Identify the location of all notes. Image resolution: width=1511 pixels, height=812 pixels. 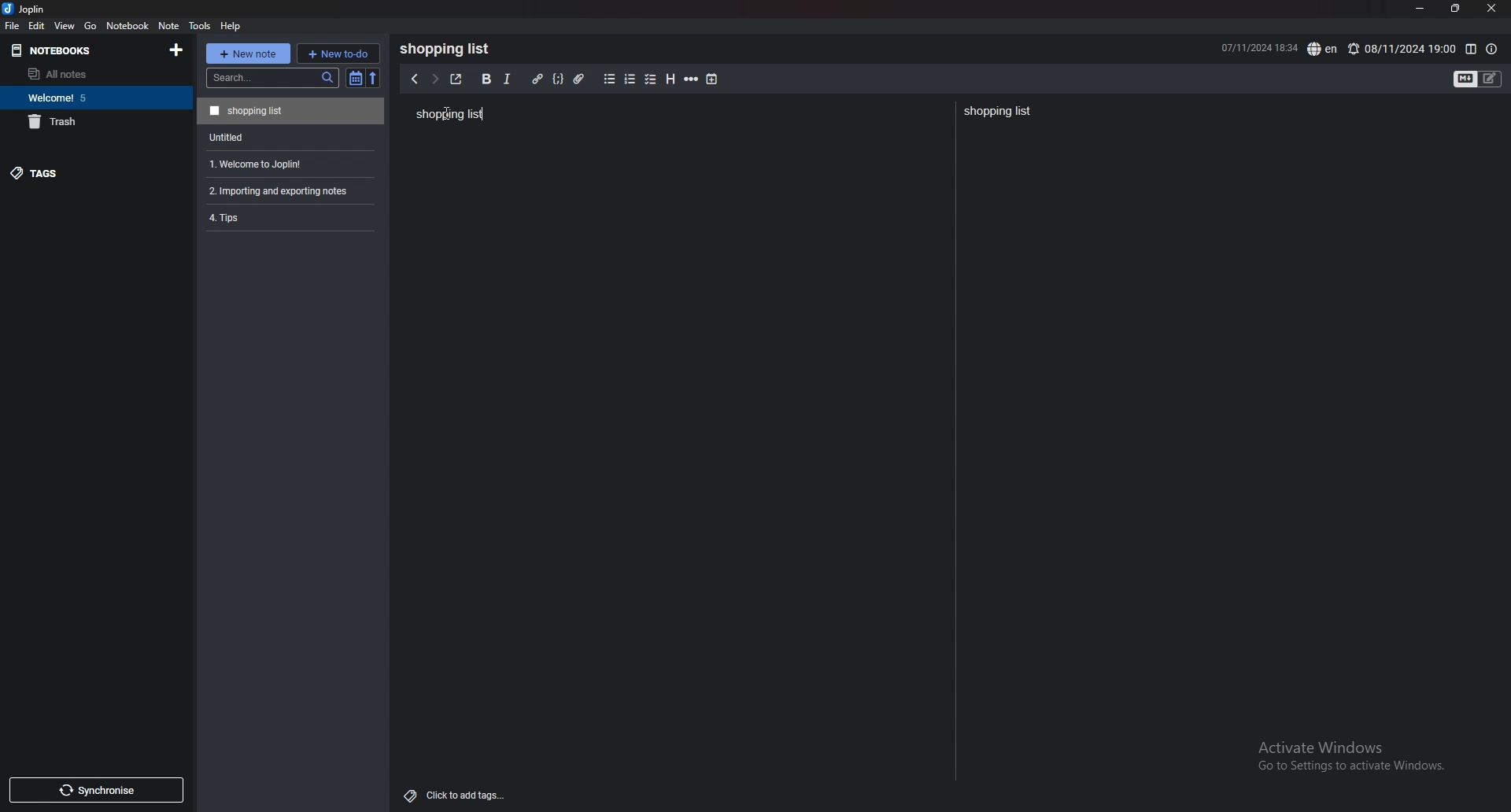
(89, 74).